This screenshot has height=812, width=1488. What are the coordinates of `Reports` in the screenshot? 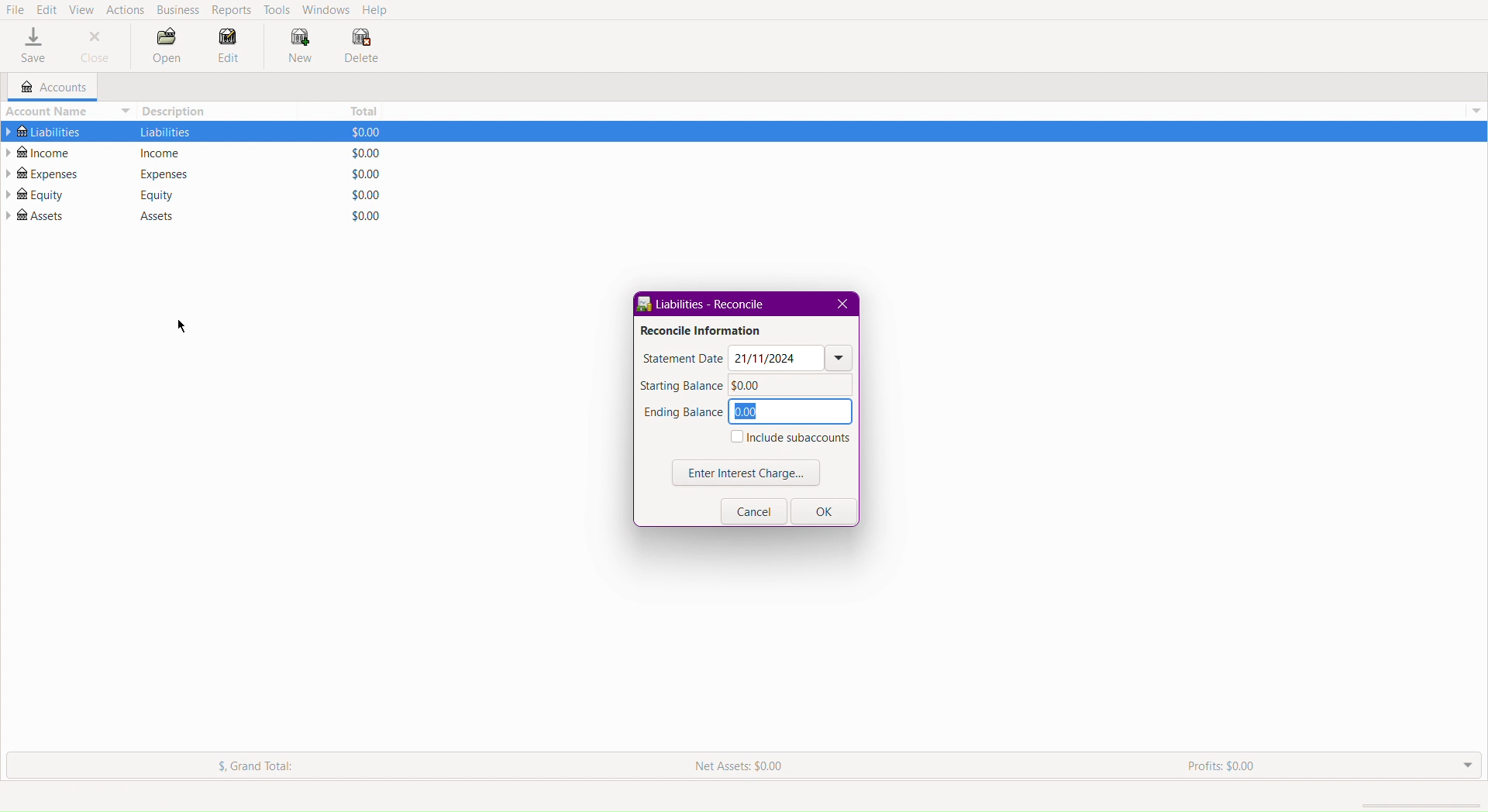 It's located at (231, 9).